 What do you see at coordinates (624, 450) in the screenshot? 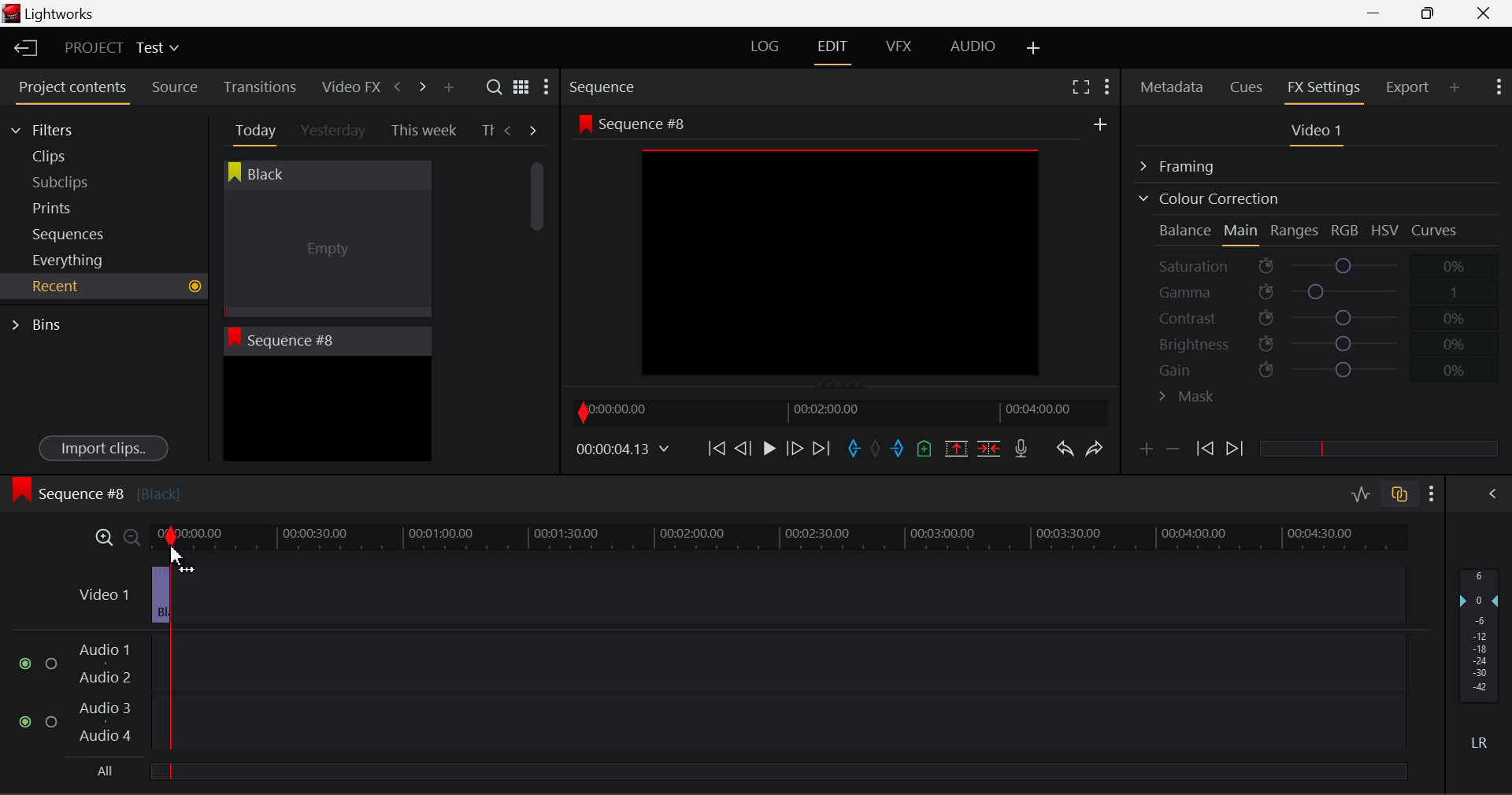
I see `Frame Time` at bounding box center [624, 450].